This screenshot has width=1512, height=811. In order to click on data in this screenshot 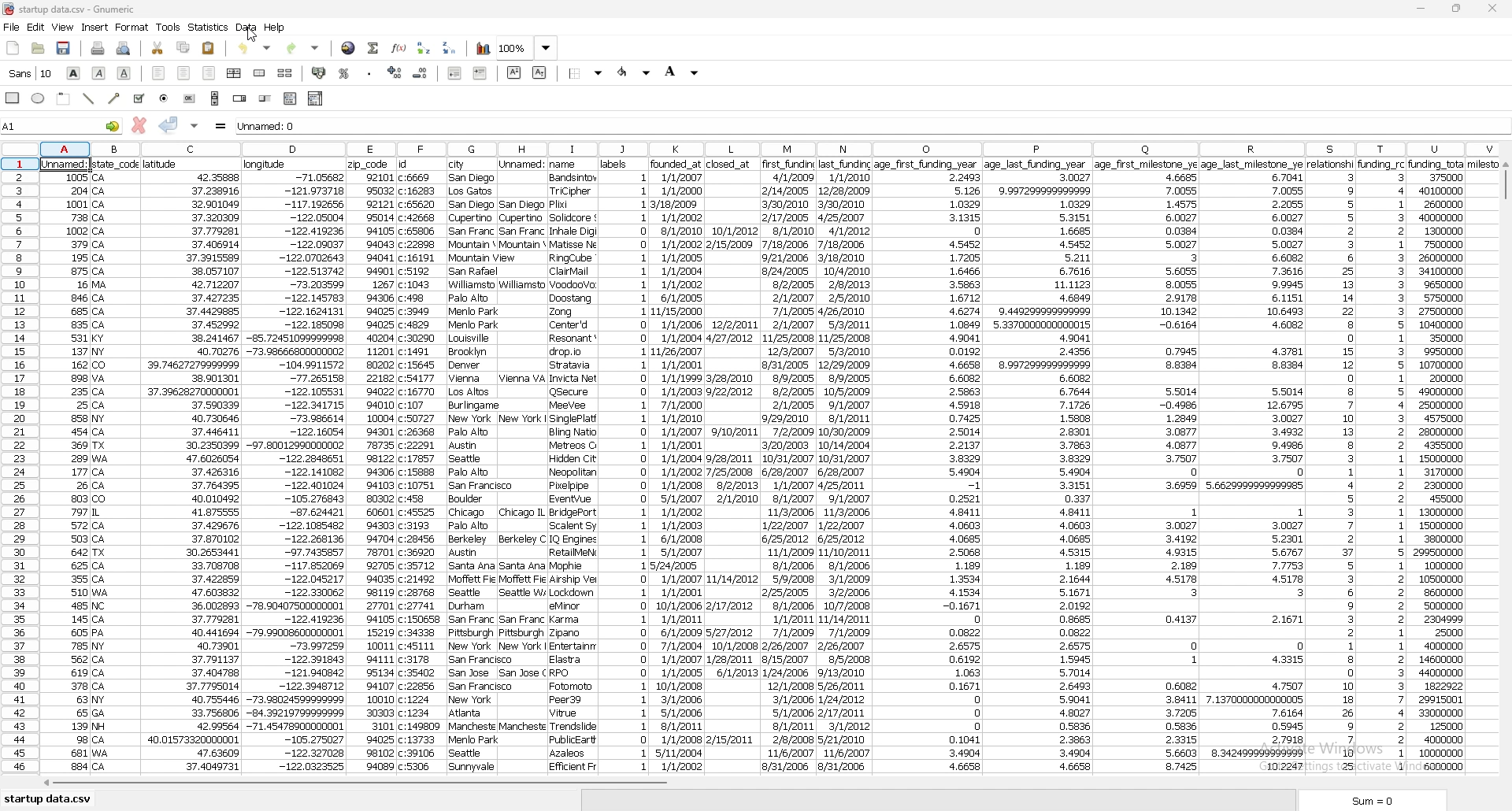, I will do `click(247, 27)`.